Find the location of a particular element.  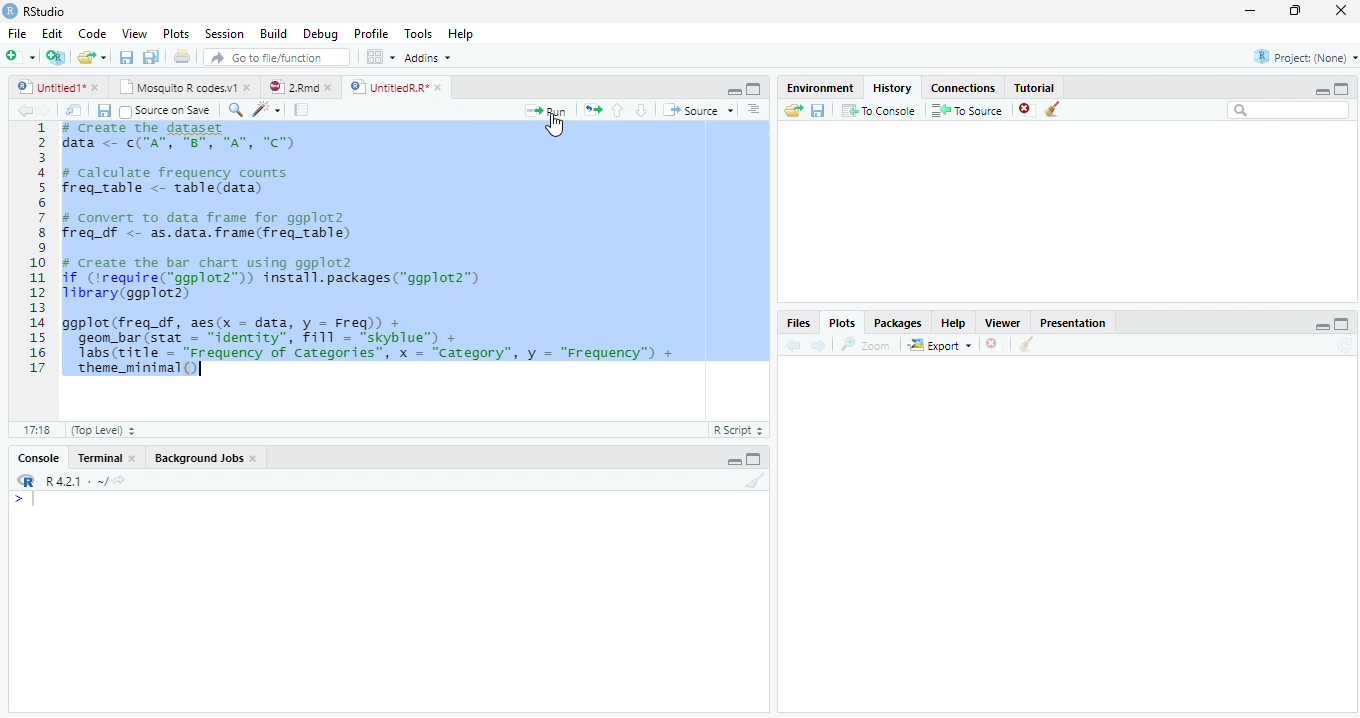

Open an existing file is located at coordinates (93, 58).